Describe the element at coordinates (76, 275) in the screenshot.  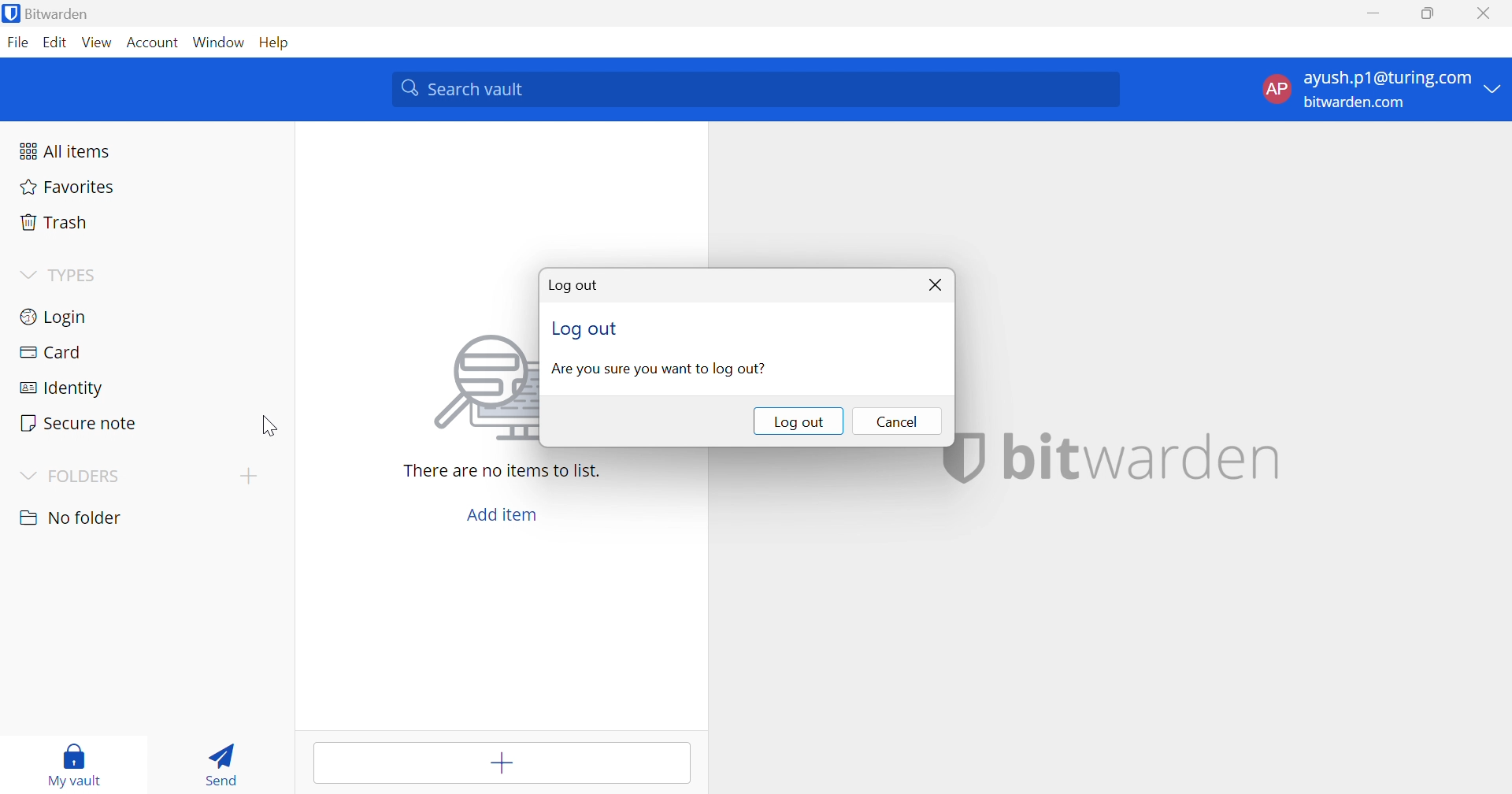
I see `TYPES` at that location.